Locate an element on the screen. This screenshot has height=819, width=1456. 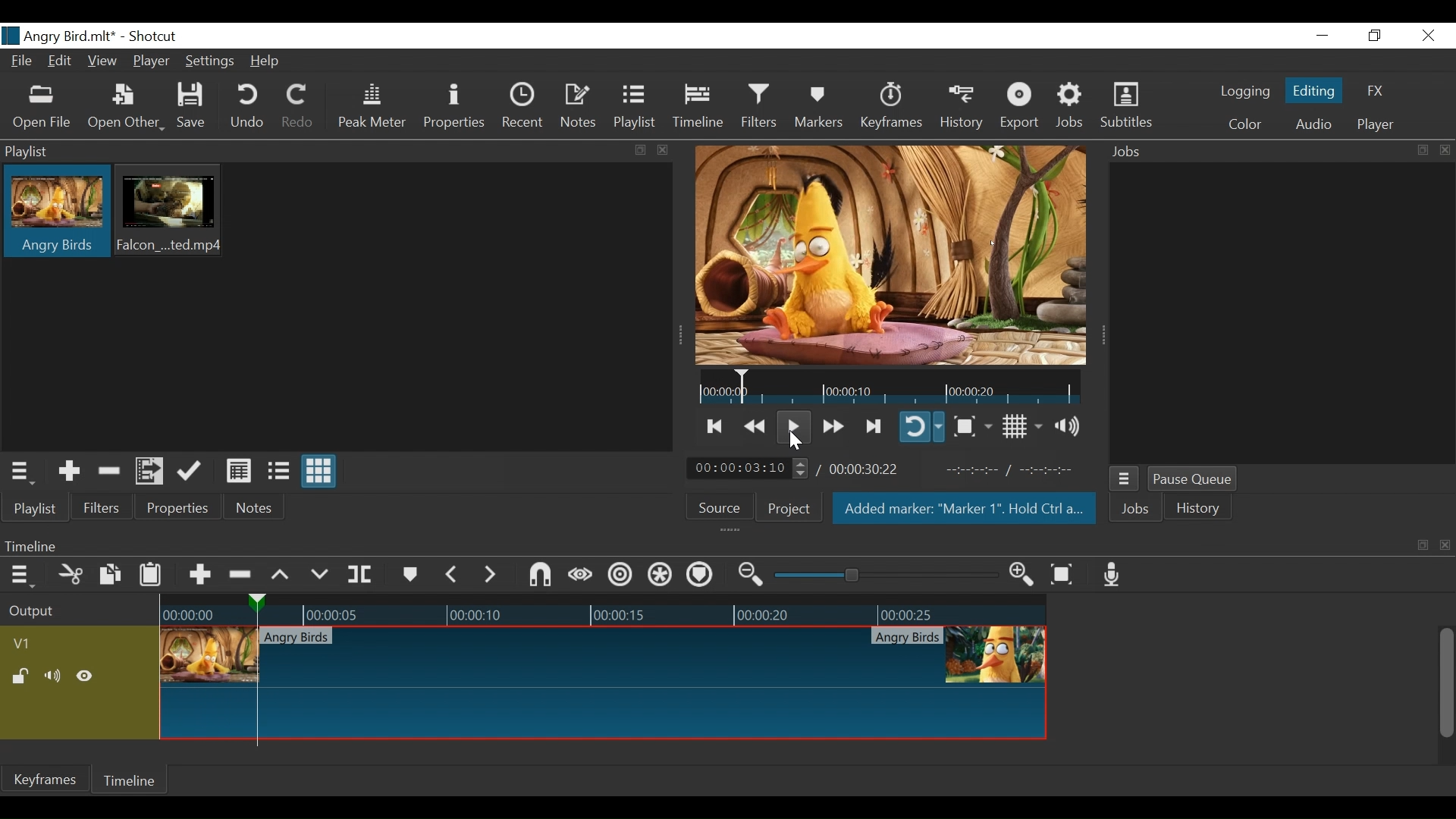
Ripple markers is located at coordinates (699, 576).